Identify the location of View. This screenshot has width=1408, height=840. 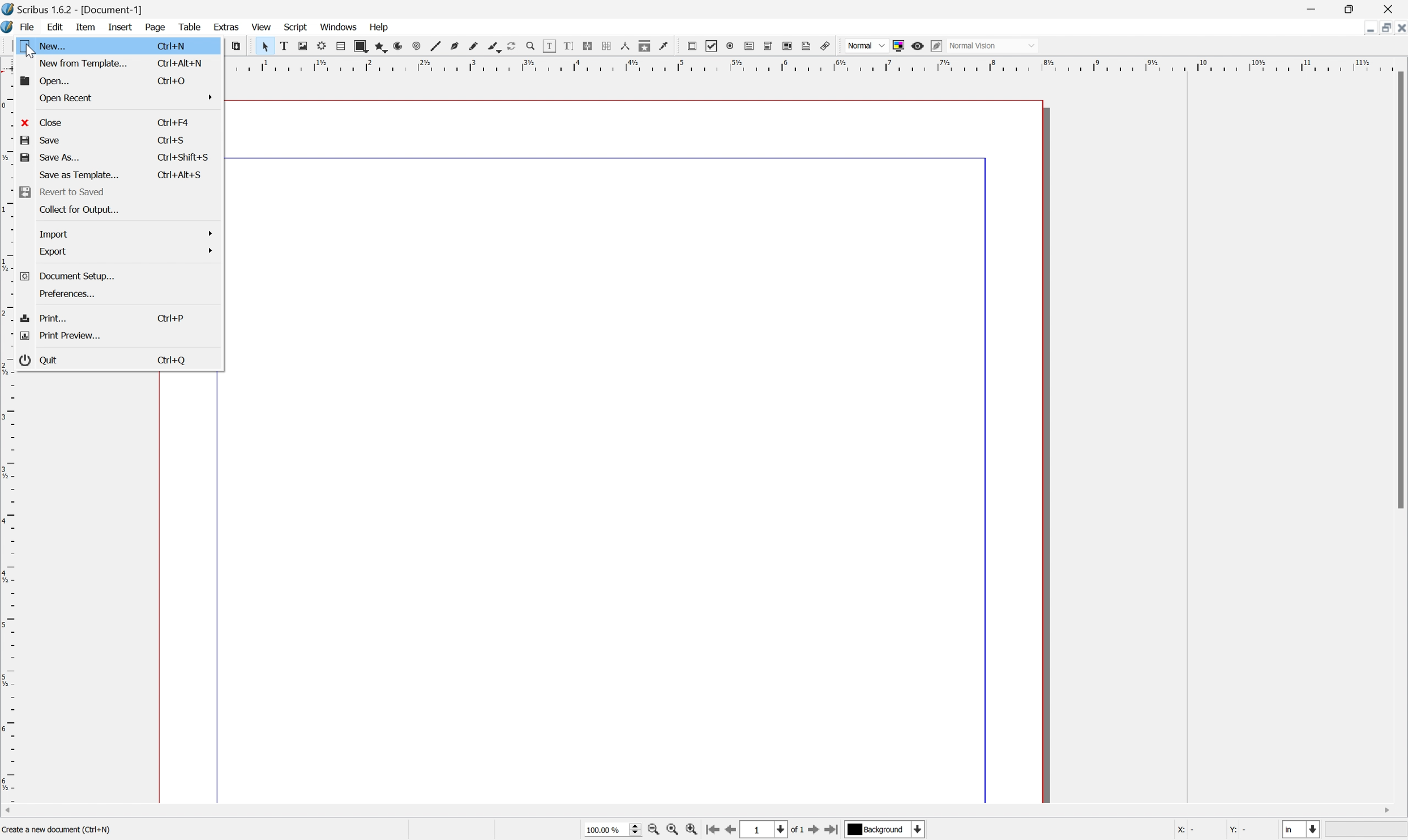
(260, 27).